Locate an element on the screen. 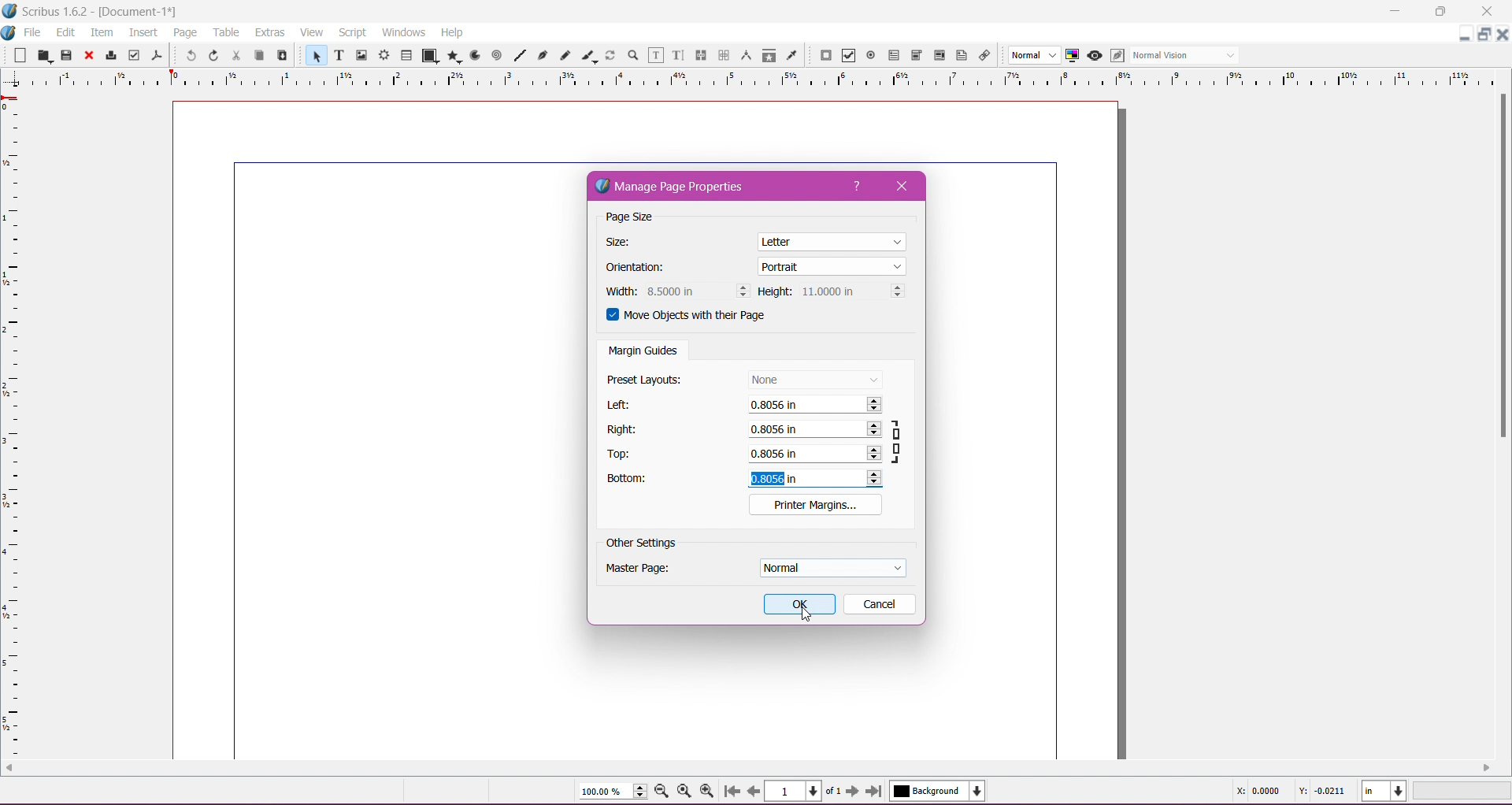 The height and width of the screenshot is (805, 1512). Image Frame is located at coordinates (362, 56).